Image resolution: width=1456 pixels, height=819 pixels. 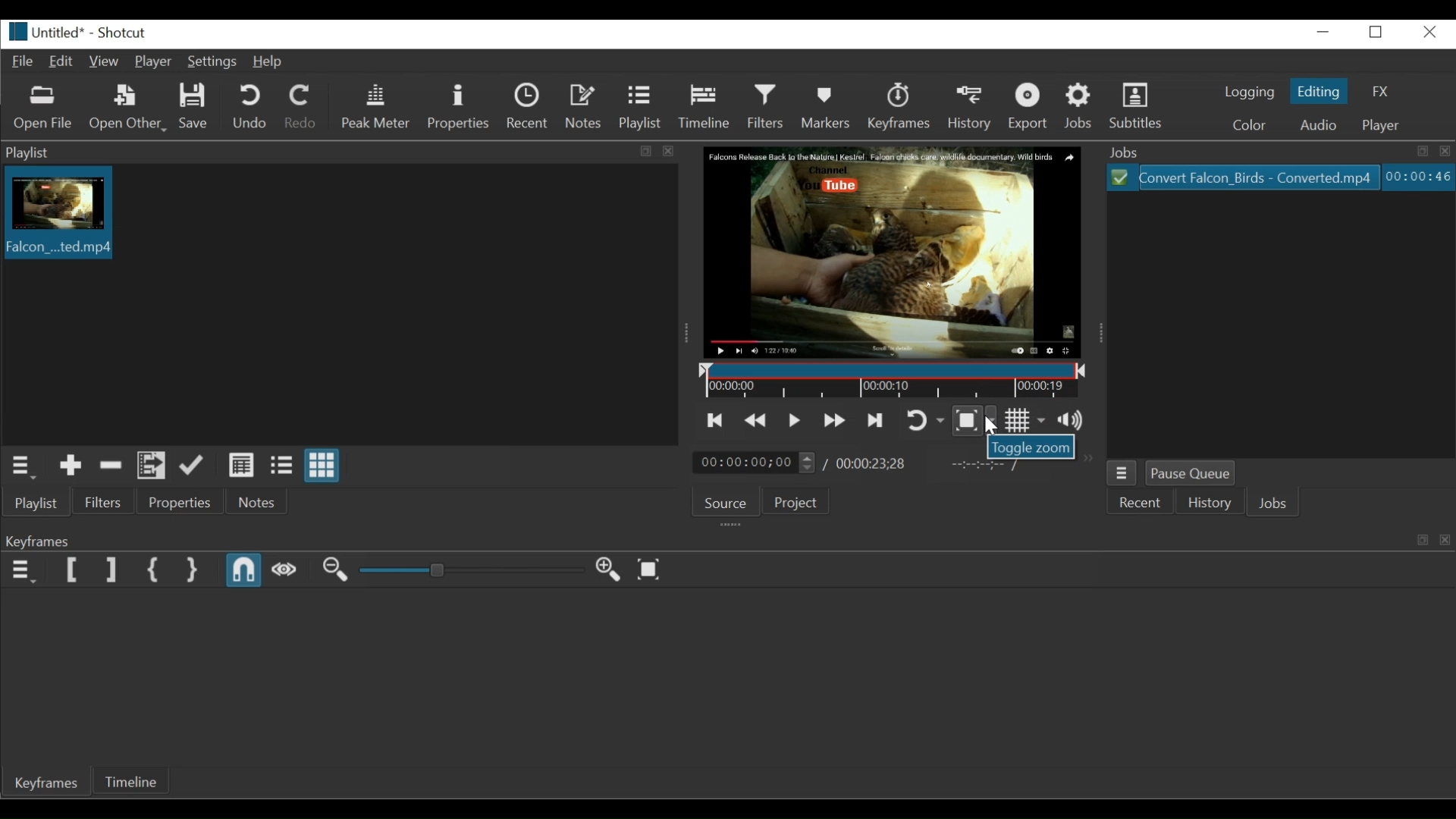 What do you see at coordinates (242, 466) in the screenshot?
I see `View as details` at bounding box center [242, 466].